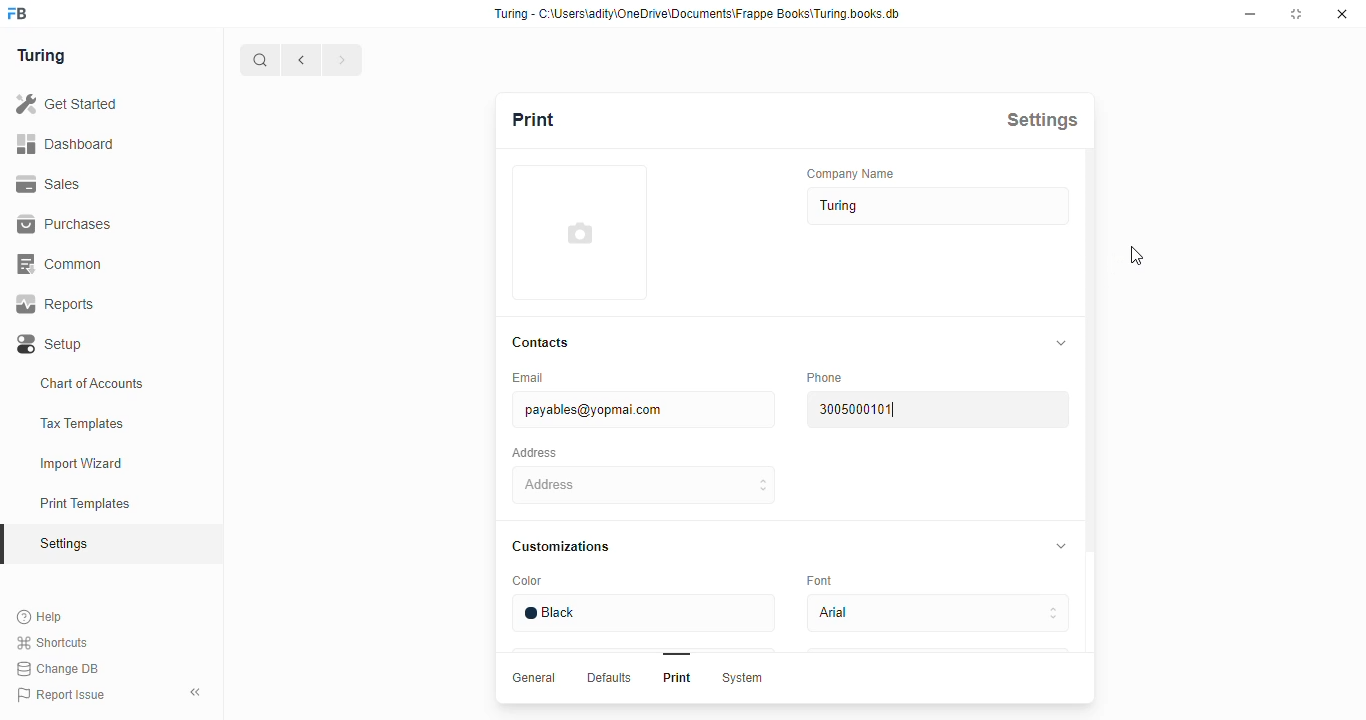 The height and width of the screenshot is (720, 1366). What do you see at coordinates (302, 58) in the screenshot?
I see `go back` at bounding box center [302, 58].